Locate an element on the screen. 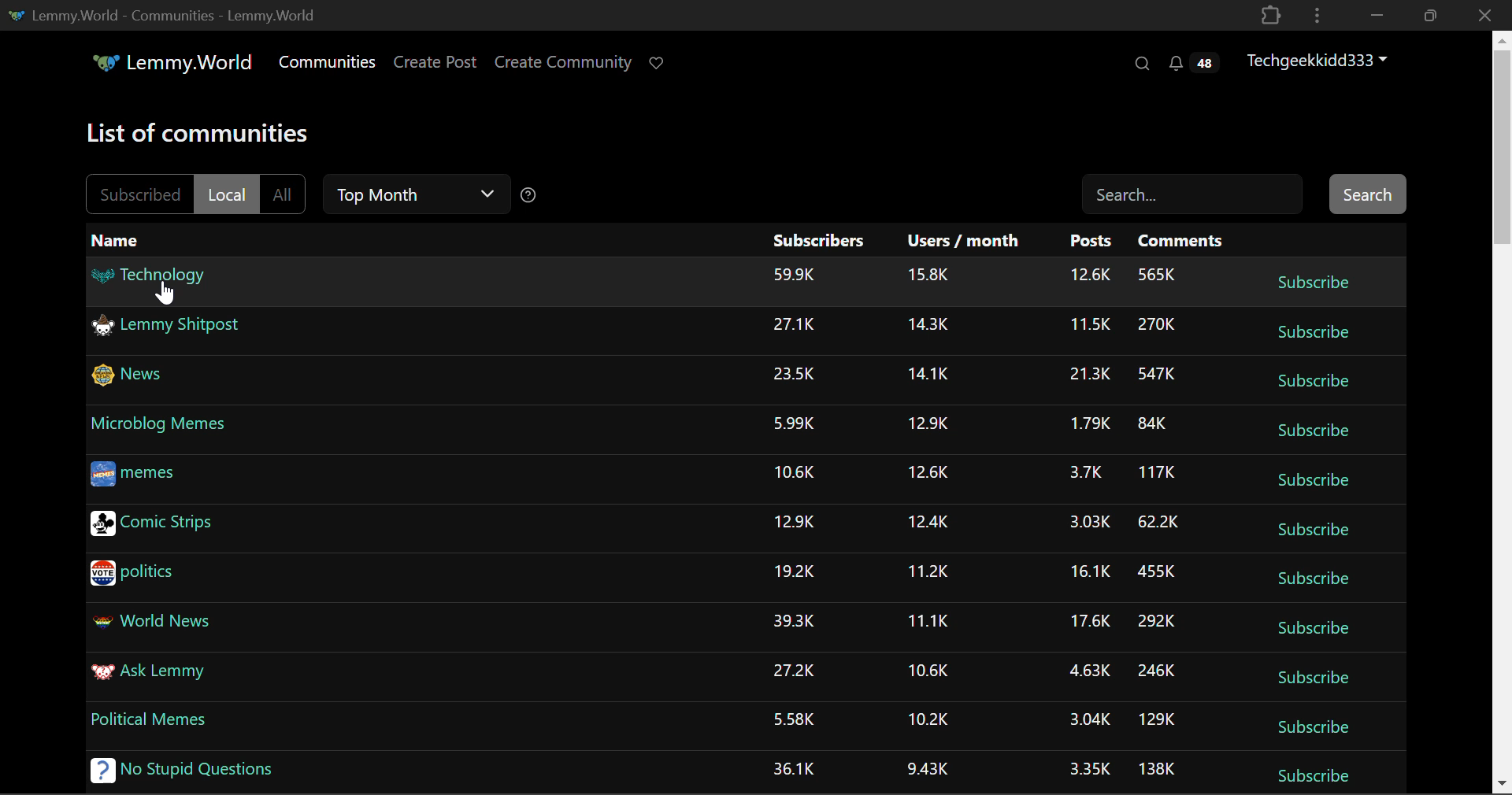  Subscribe is located at coordinates (1314, 576).